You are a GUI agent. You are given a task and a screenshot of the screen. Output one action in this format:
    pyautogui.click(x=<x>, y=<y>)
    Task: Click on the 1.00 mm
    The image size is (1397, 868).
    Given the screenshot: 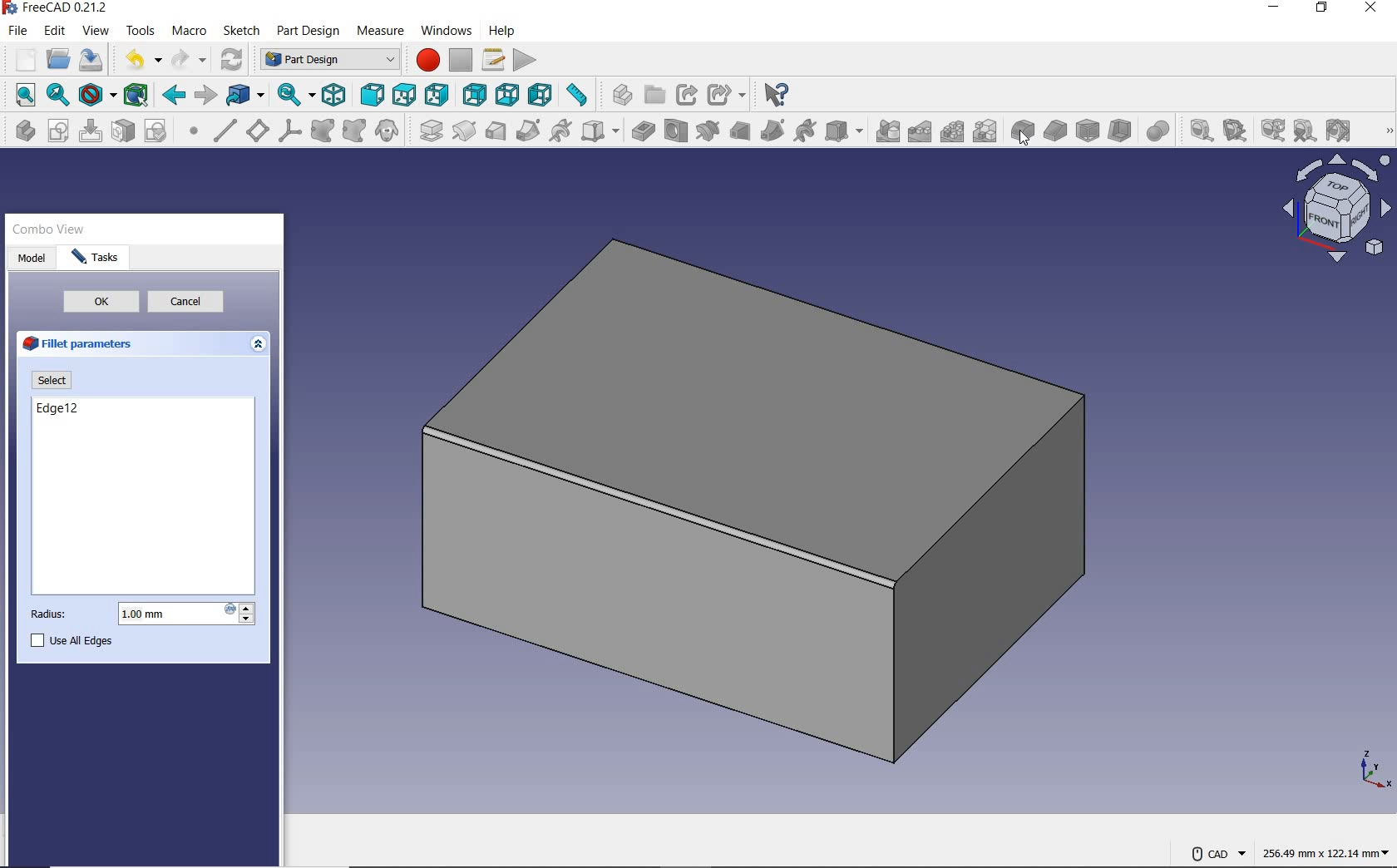 What is the action you would take?
    pyautogui.click(x=175, y=614)
    